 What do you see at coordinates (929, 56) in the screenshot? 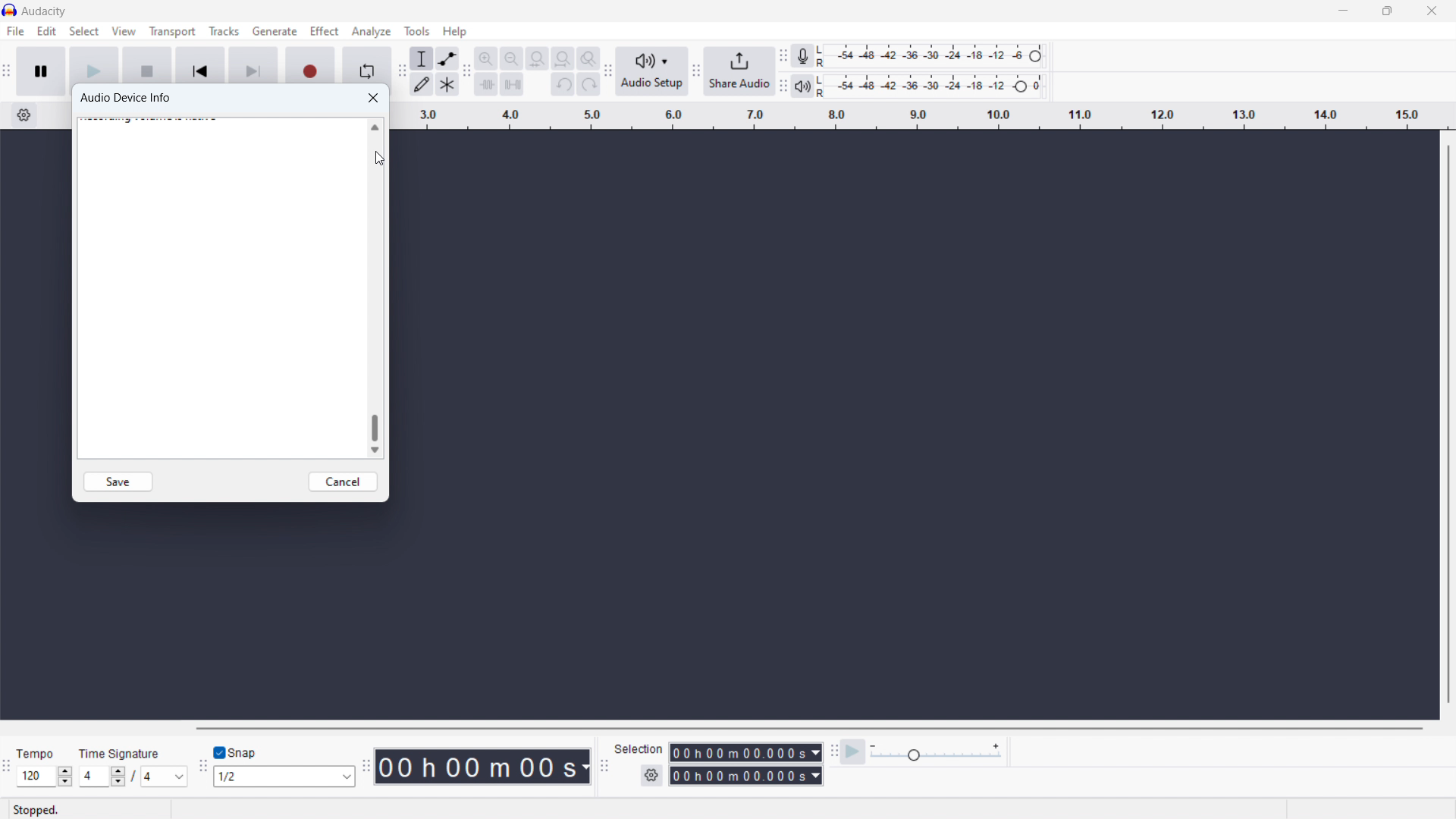
I see `recording level` at bounding box center [929, 56].